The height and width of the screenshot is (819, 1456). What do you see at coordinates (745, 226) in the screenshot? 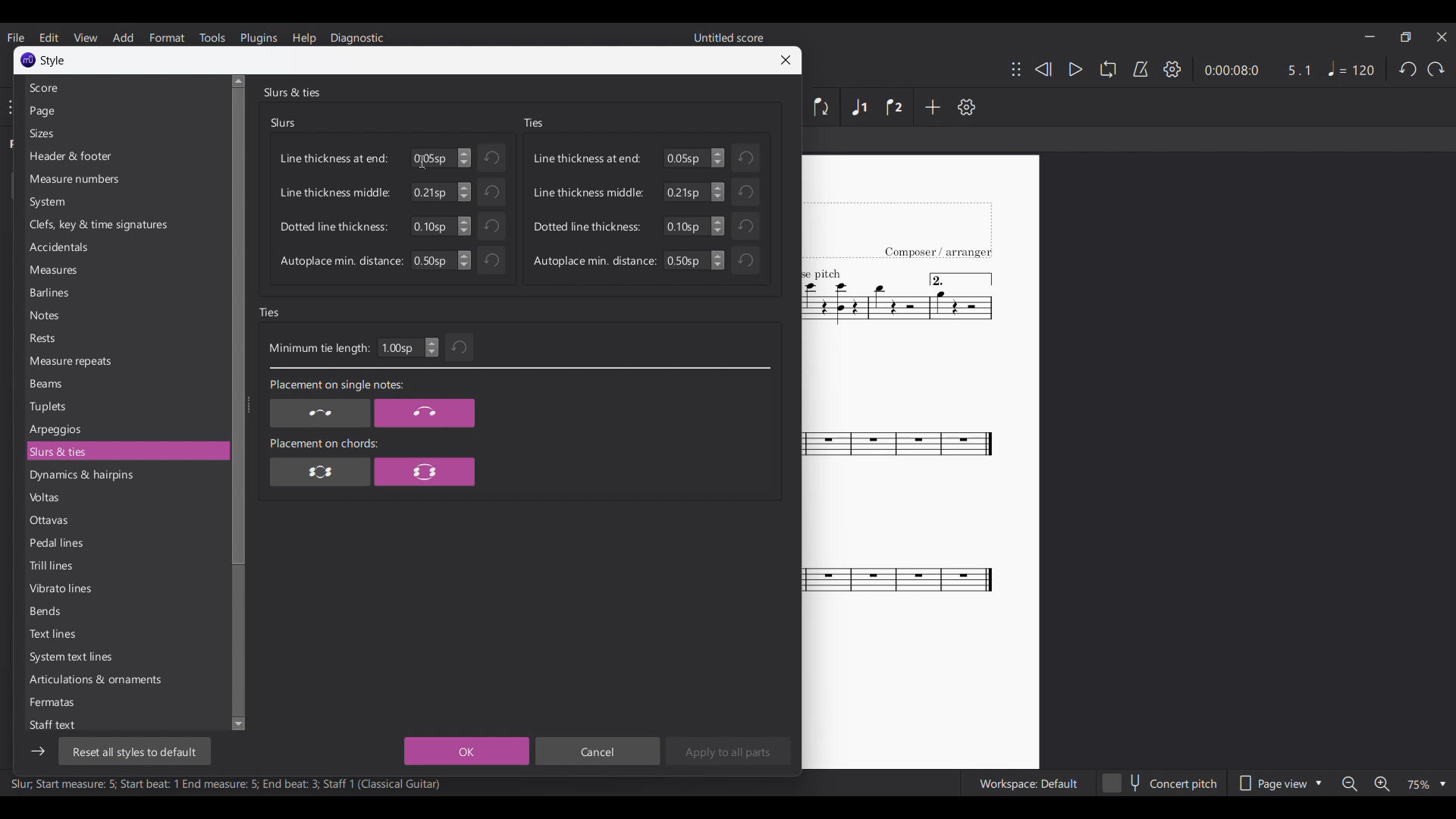
I see `Undo` at bounding box center [745, 226].